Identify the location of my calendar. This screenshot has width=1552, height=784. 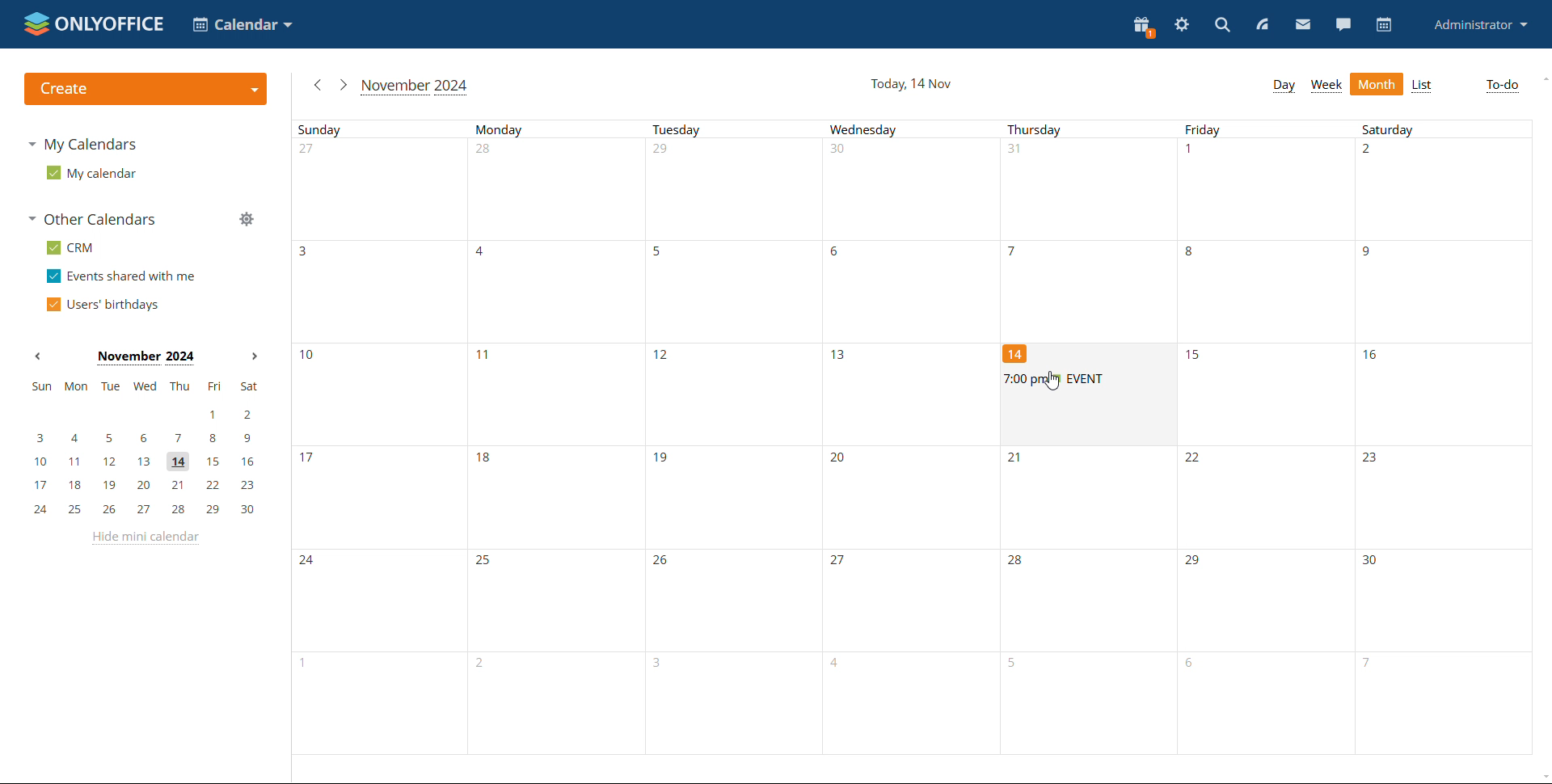
(92, 173).